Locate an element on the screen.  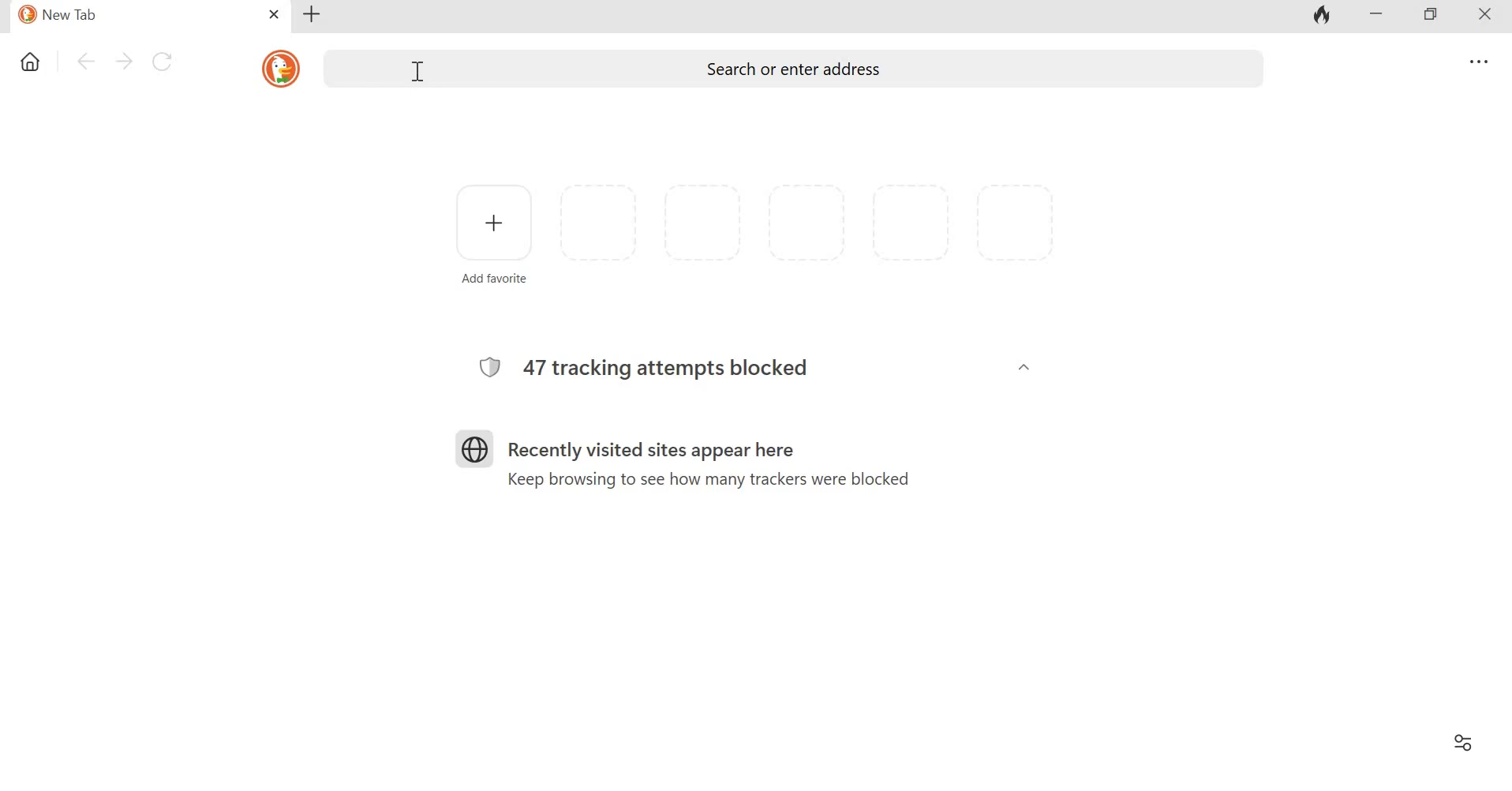
Fire icon is located at coordinates (1319, 17).